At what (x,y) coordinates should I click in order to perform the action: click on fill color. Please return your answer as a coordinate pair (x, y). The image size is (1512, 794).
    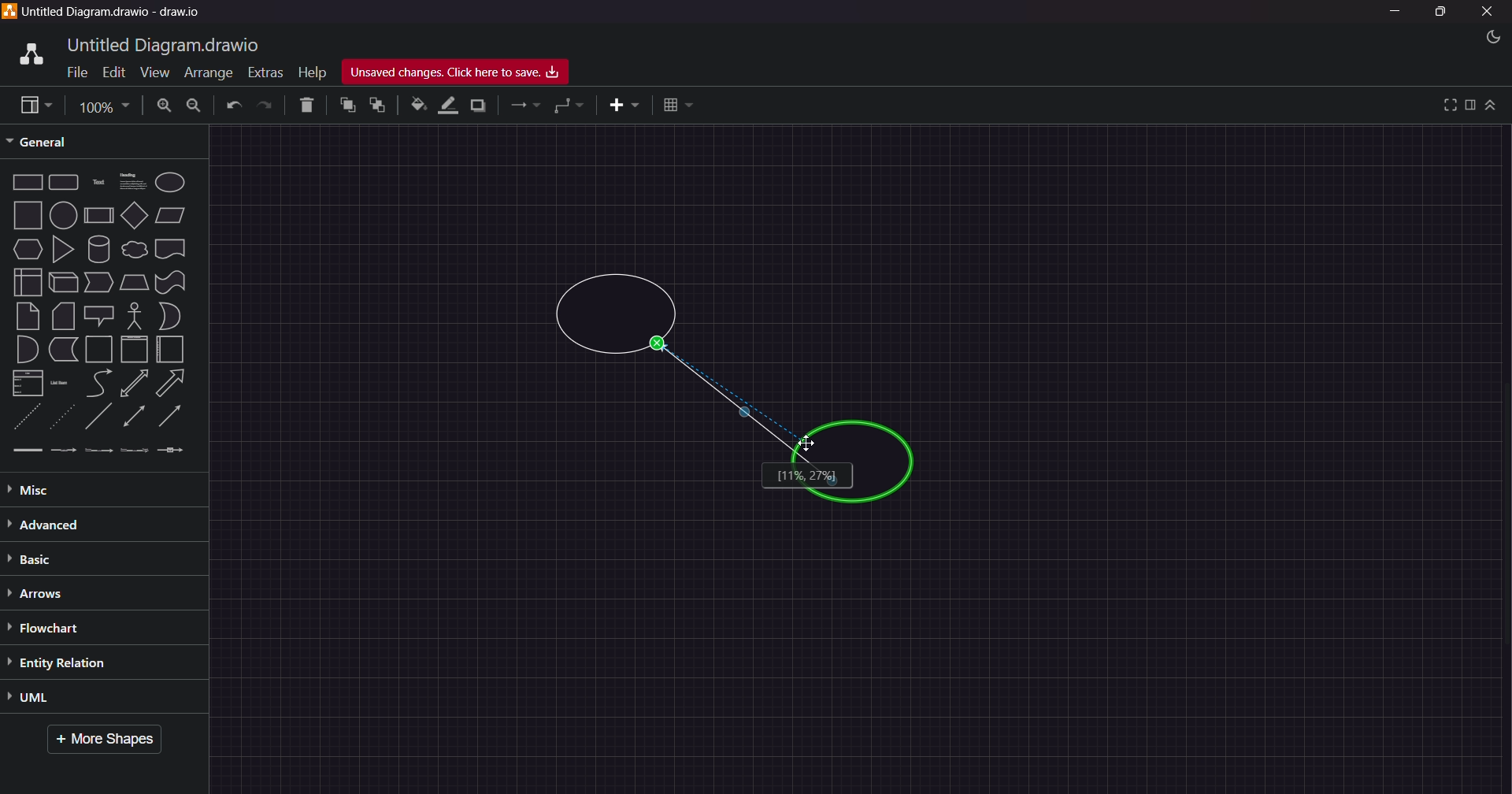
    Looking at the image, I should click on (417, 105).